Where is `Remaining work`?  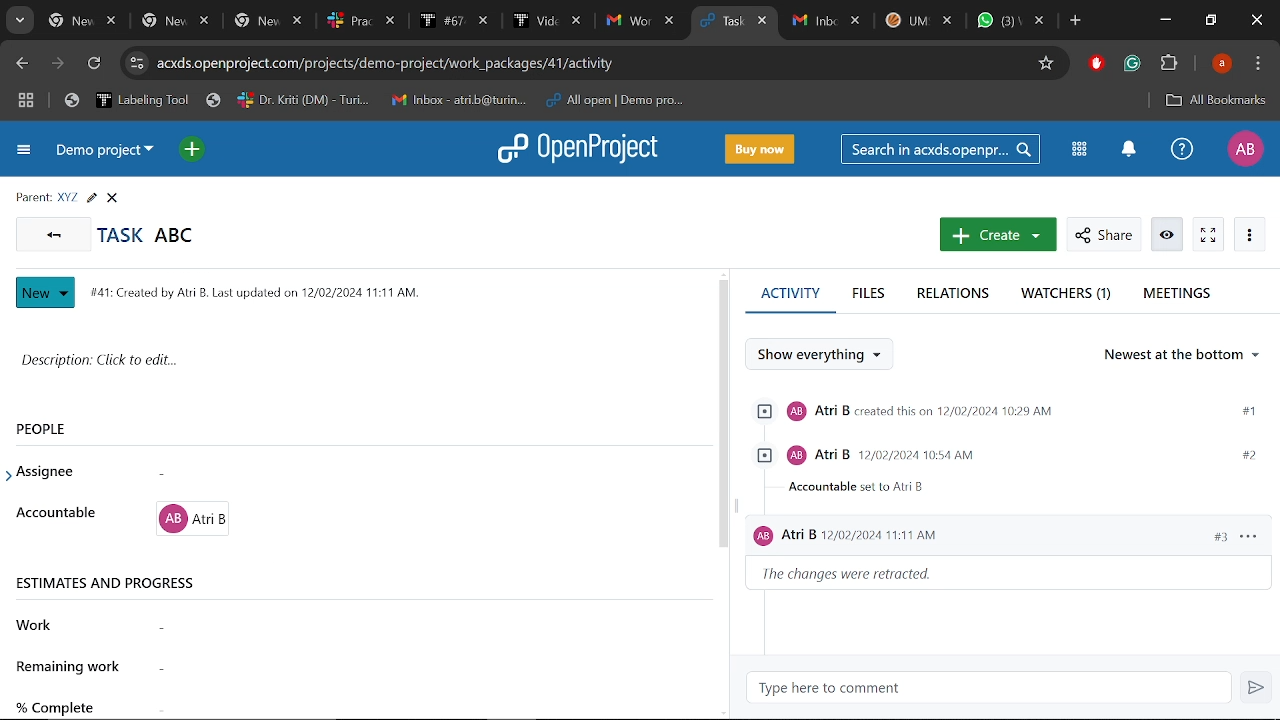
Remaining work is located at coordinates (418, 669).